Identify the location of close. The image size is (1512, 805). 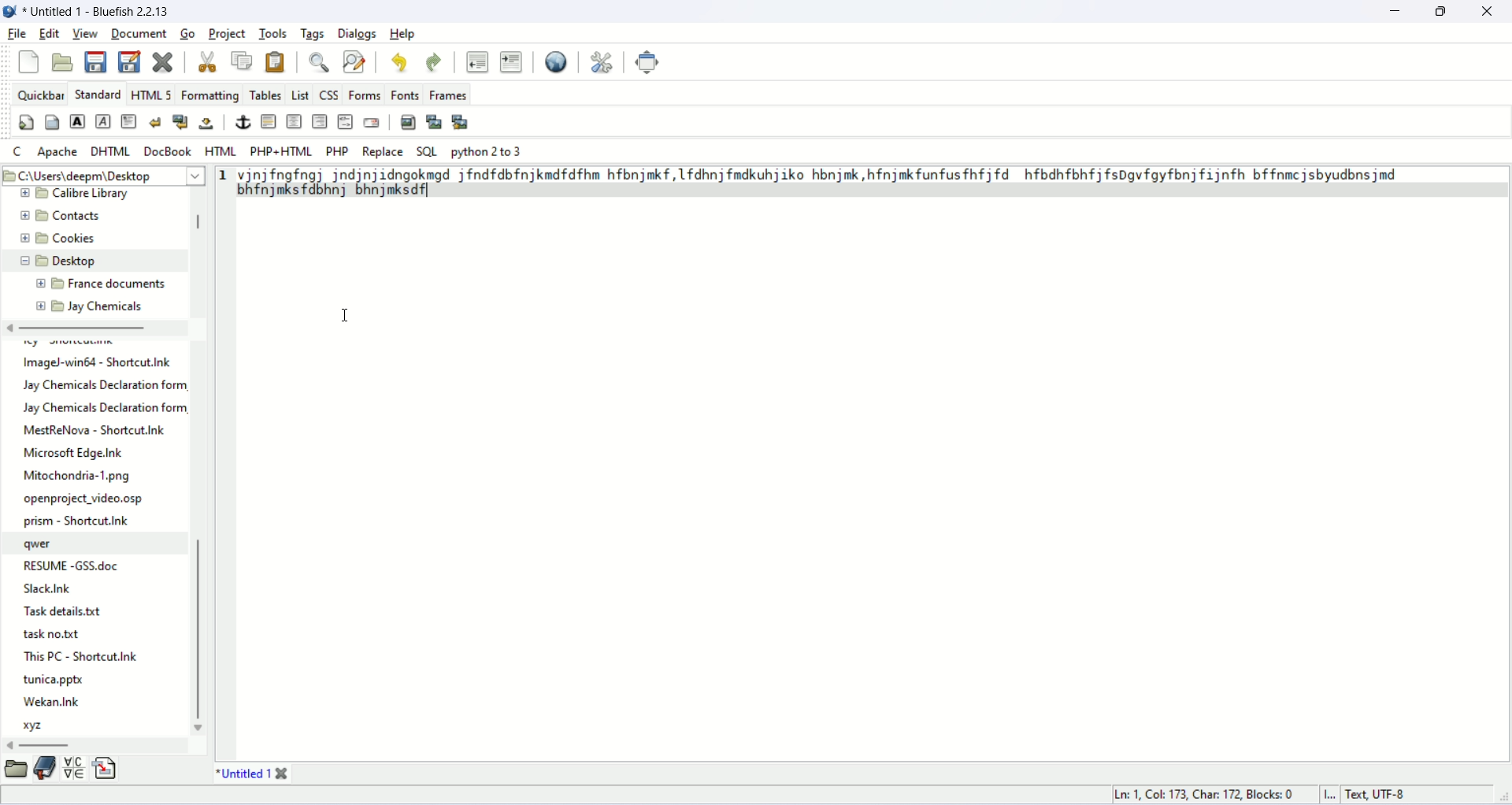
(1487, 12).